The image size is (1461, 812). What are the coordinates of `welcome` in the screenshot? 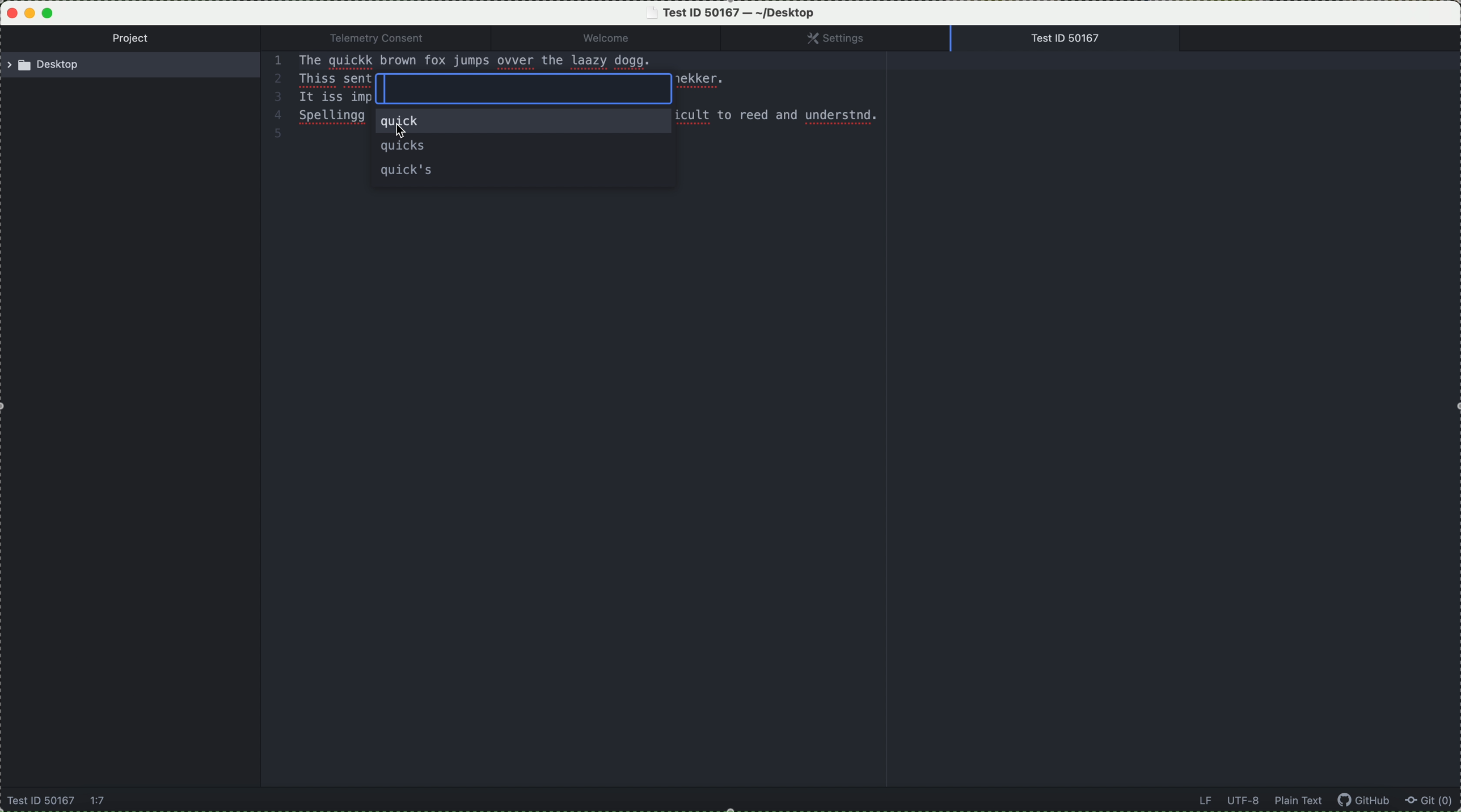 It's located at (624, 39).